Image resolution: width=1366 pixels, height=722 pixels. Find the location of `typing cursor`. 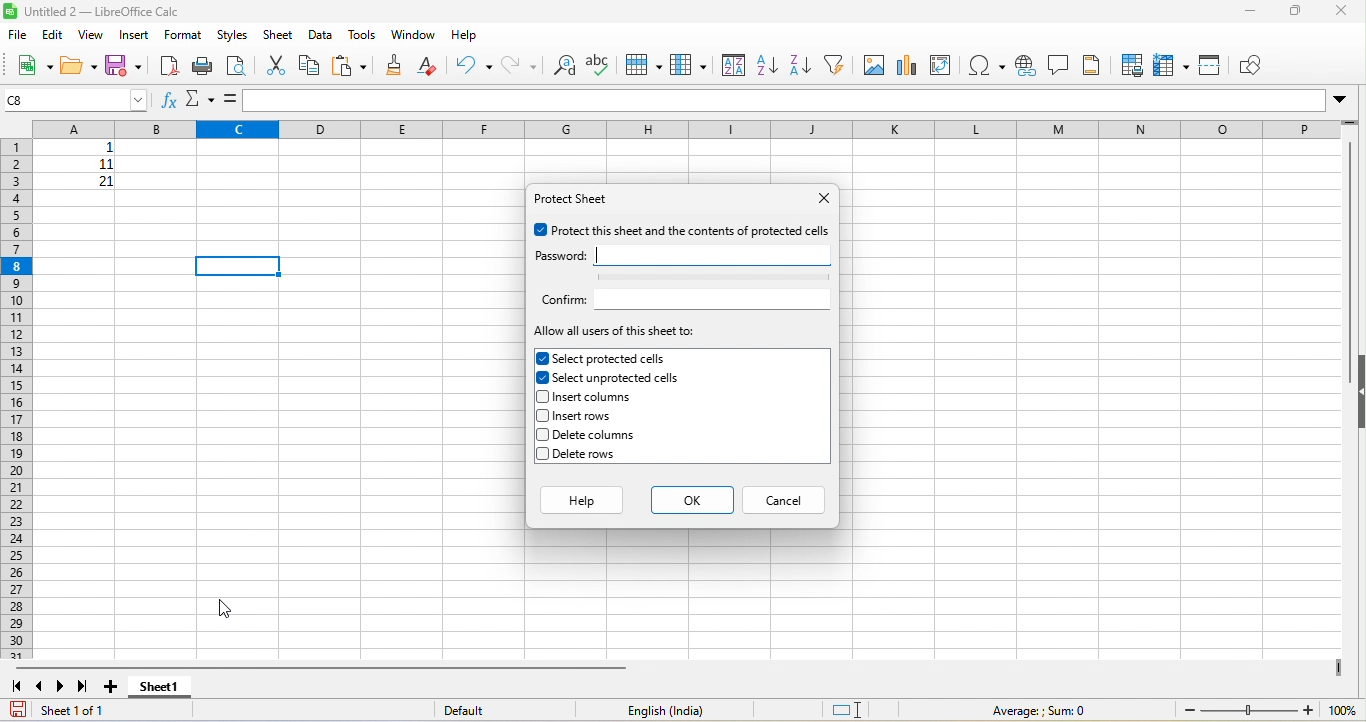

typing cursor is located at coordinates (600, 256).